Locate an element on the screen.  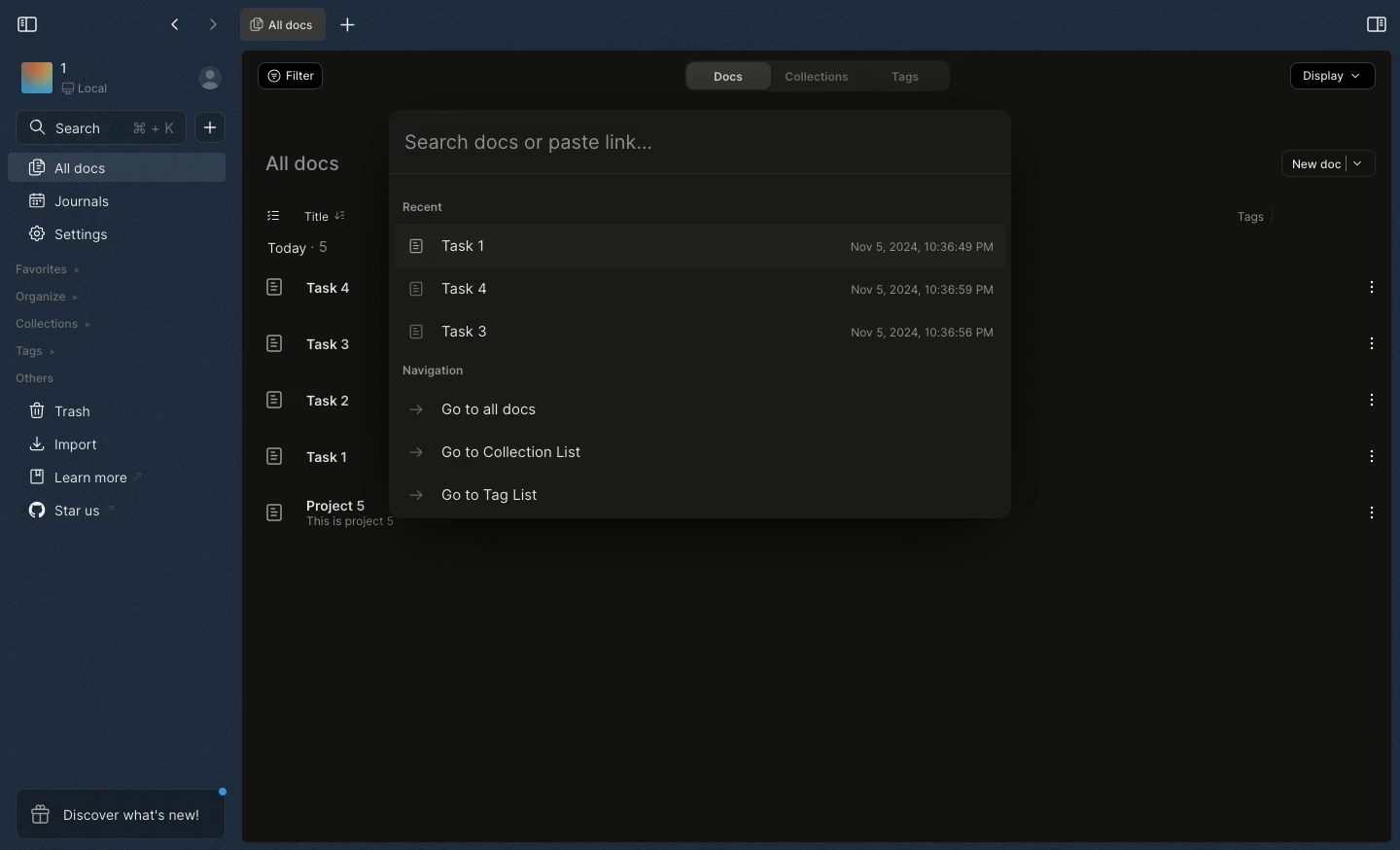
Task 4 is located at coordinates (308, 289).